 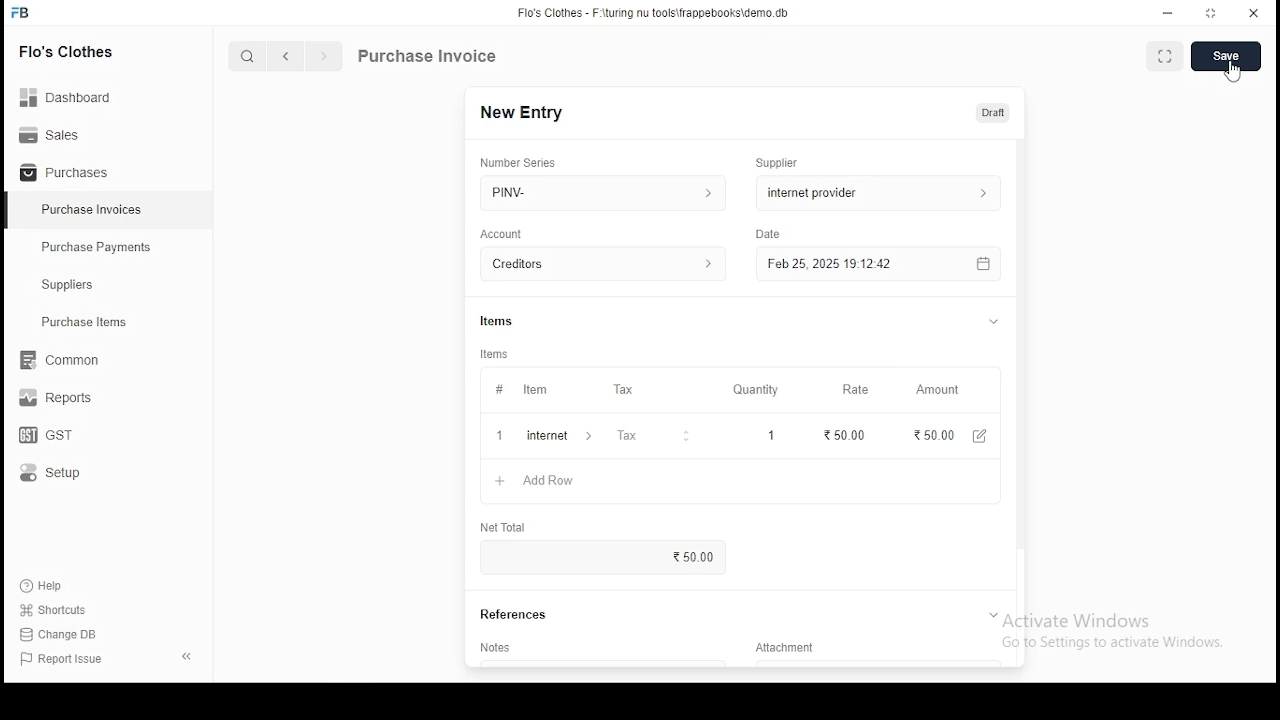 What do you see at coordinates (873, 192) in the screenshot?
I see `supplier` at bounding box center [873, 192].